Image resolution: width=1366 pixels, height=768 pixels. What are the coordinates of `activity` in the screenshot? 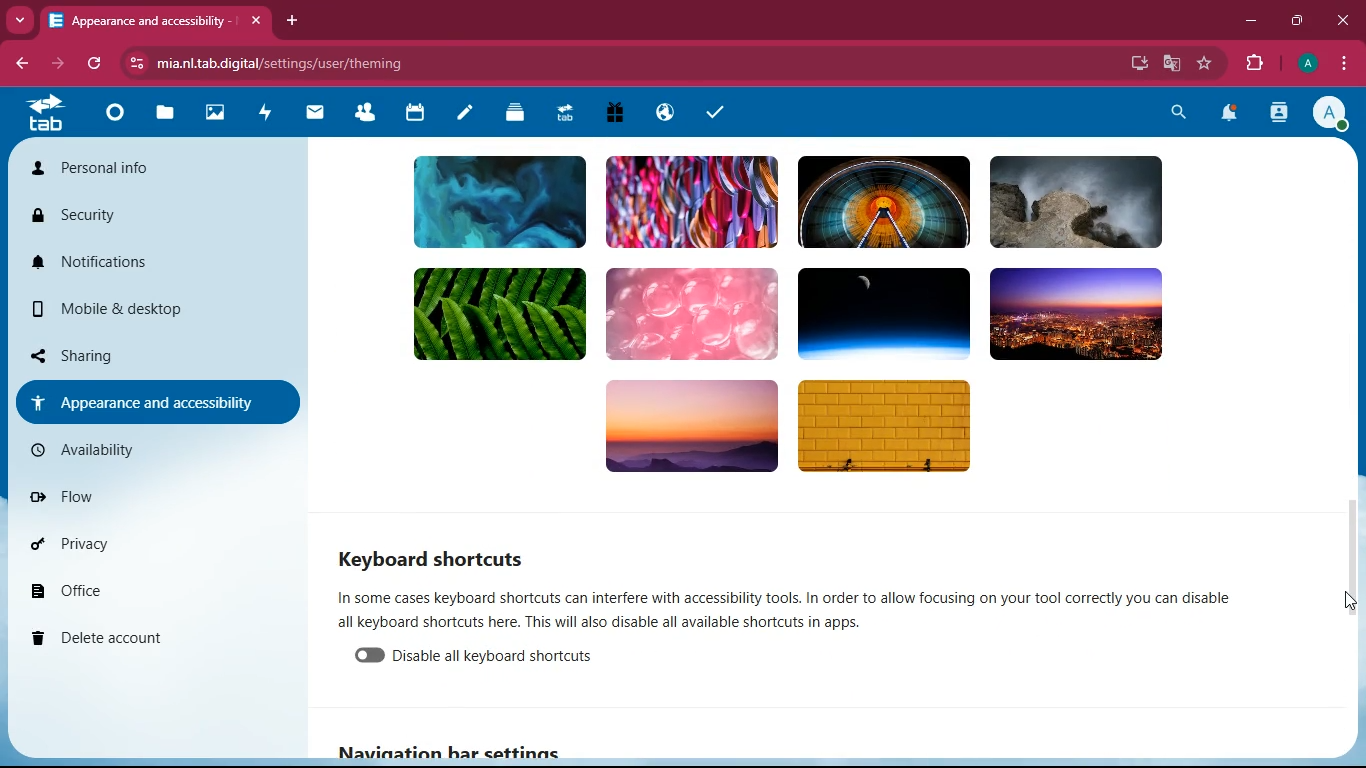 It's located at (269, 114).